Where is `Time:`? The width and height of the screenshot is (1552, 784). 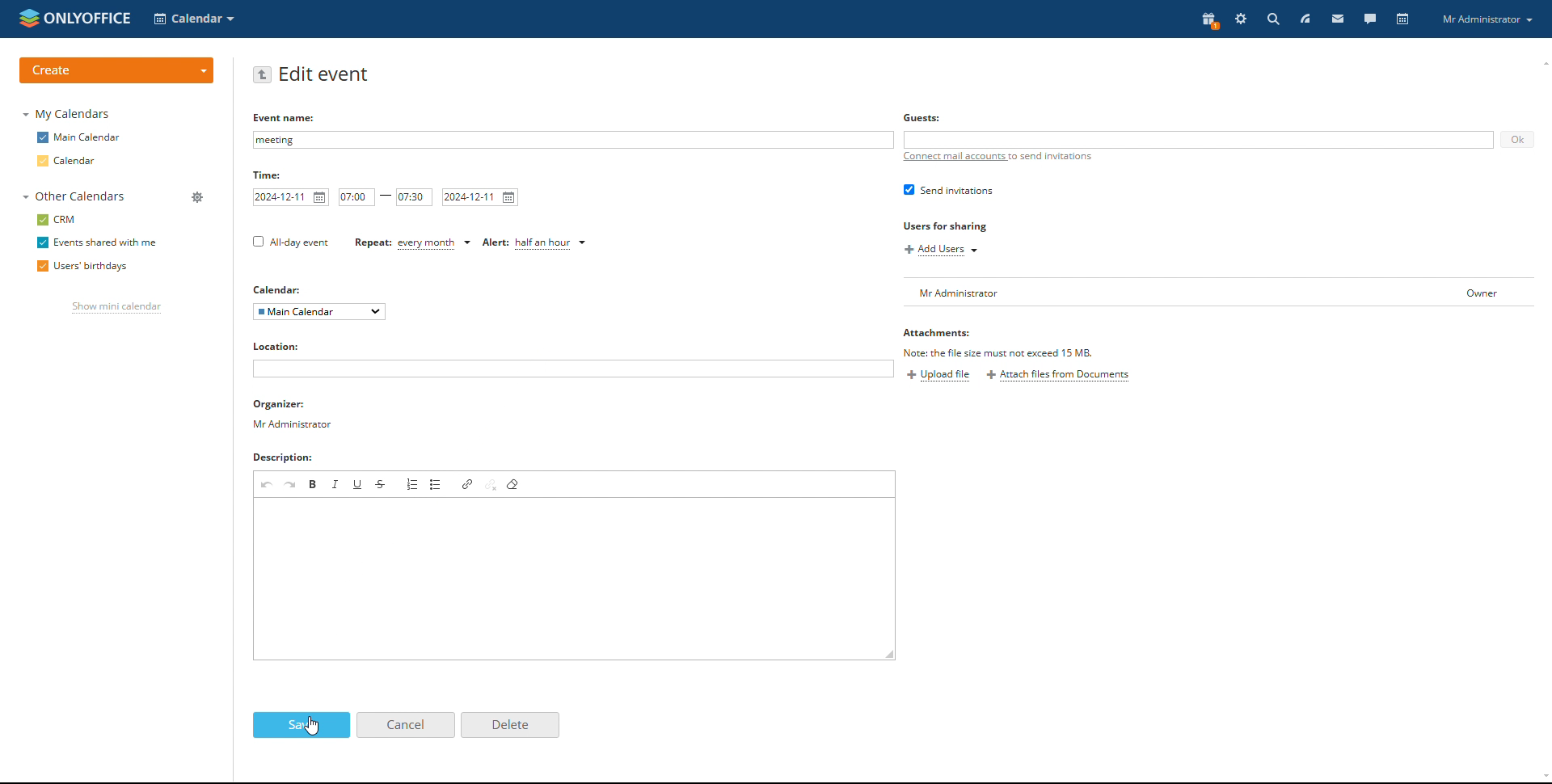 Time: is located at coordinates (270, 174).